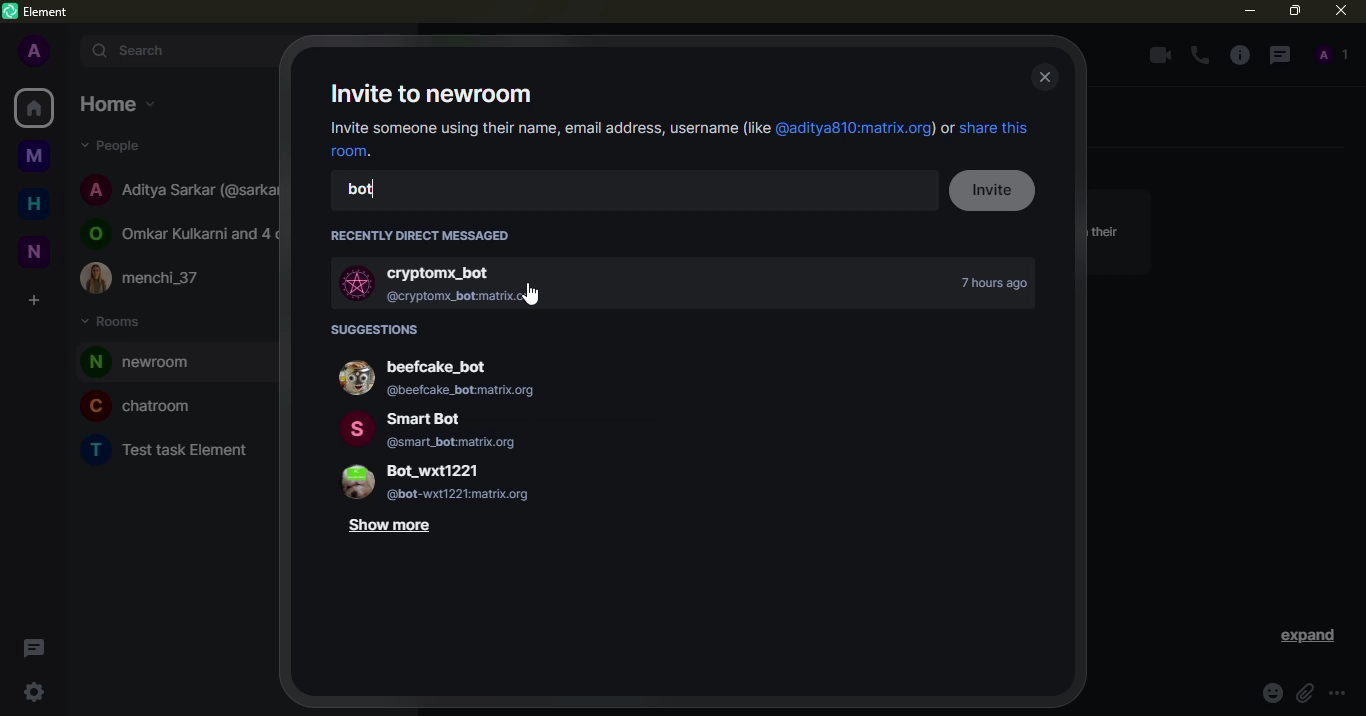  Describe the element at coordinates (135, 409) in the screenshot. I see `chatroom` at that location.